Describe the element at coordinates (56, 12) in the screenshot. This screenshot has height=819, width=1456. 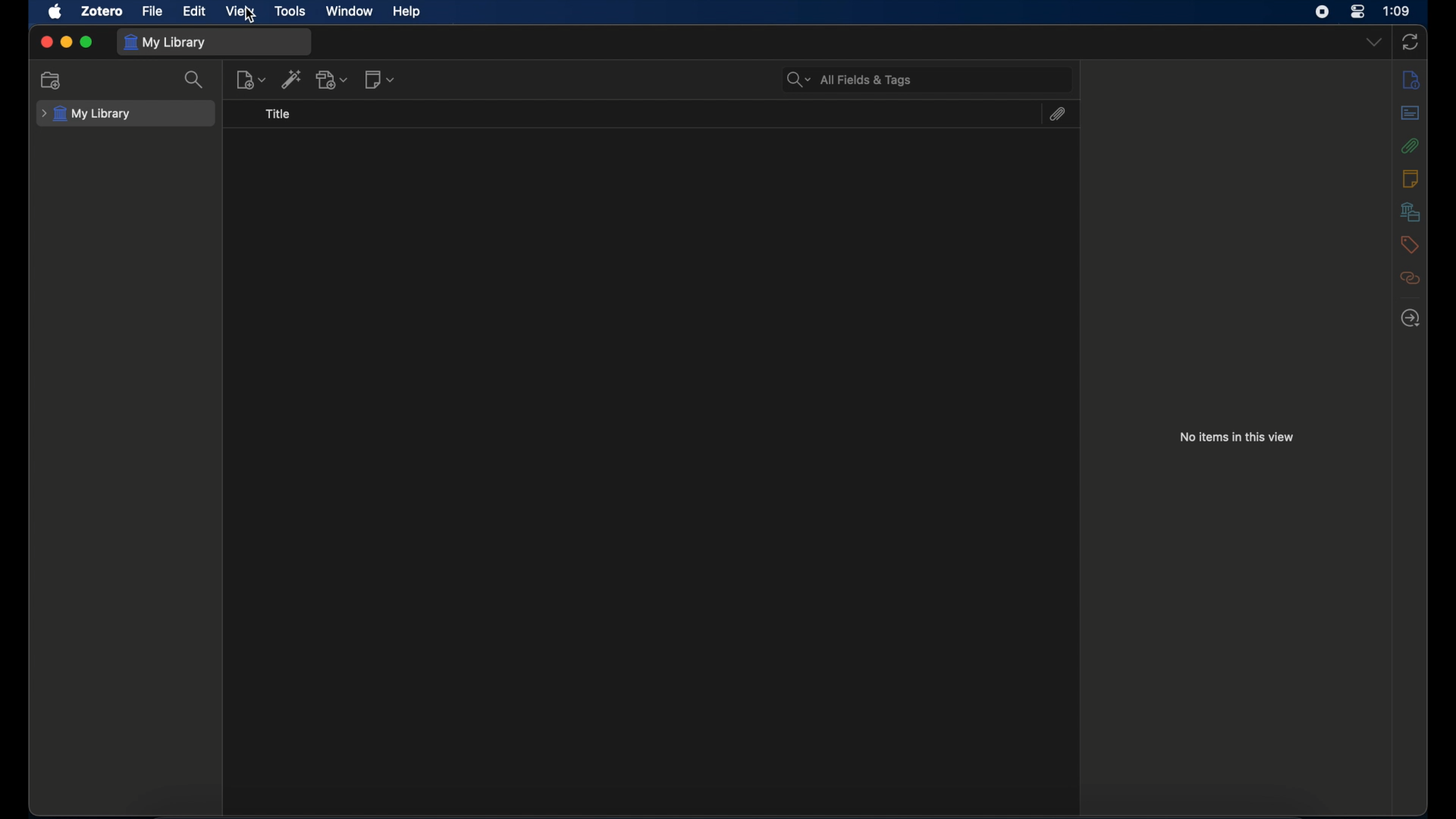
I see `apple` at that location.